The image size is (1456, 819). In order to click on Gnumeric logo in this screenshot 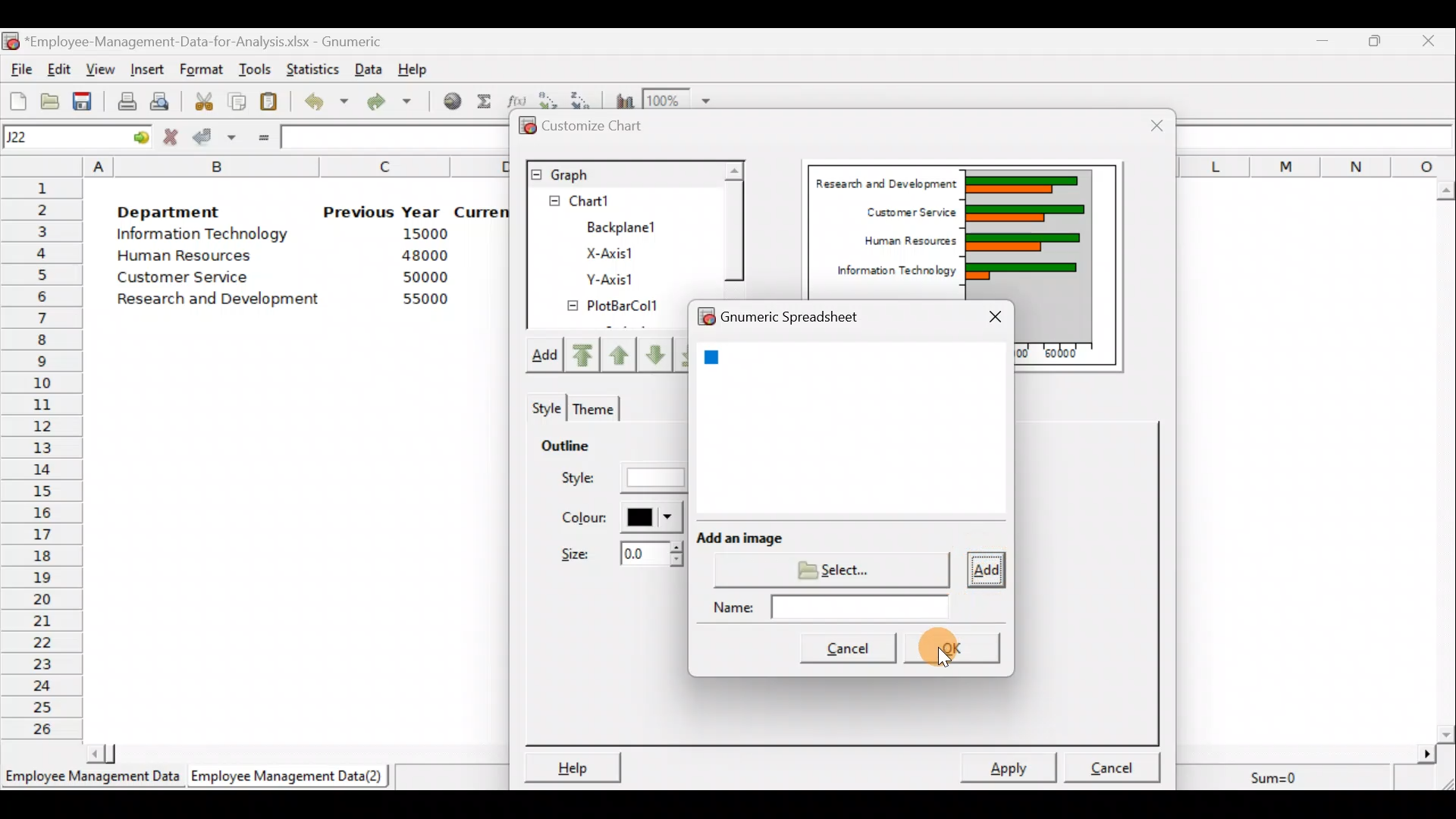, I will do `click(12, 41)`.